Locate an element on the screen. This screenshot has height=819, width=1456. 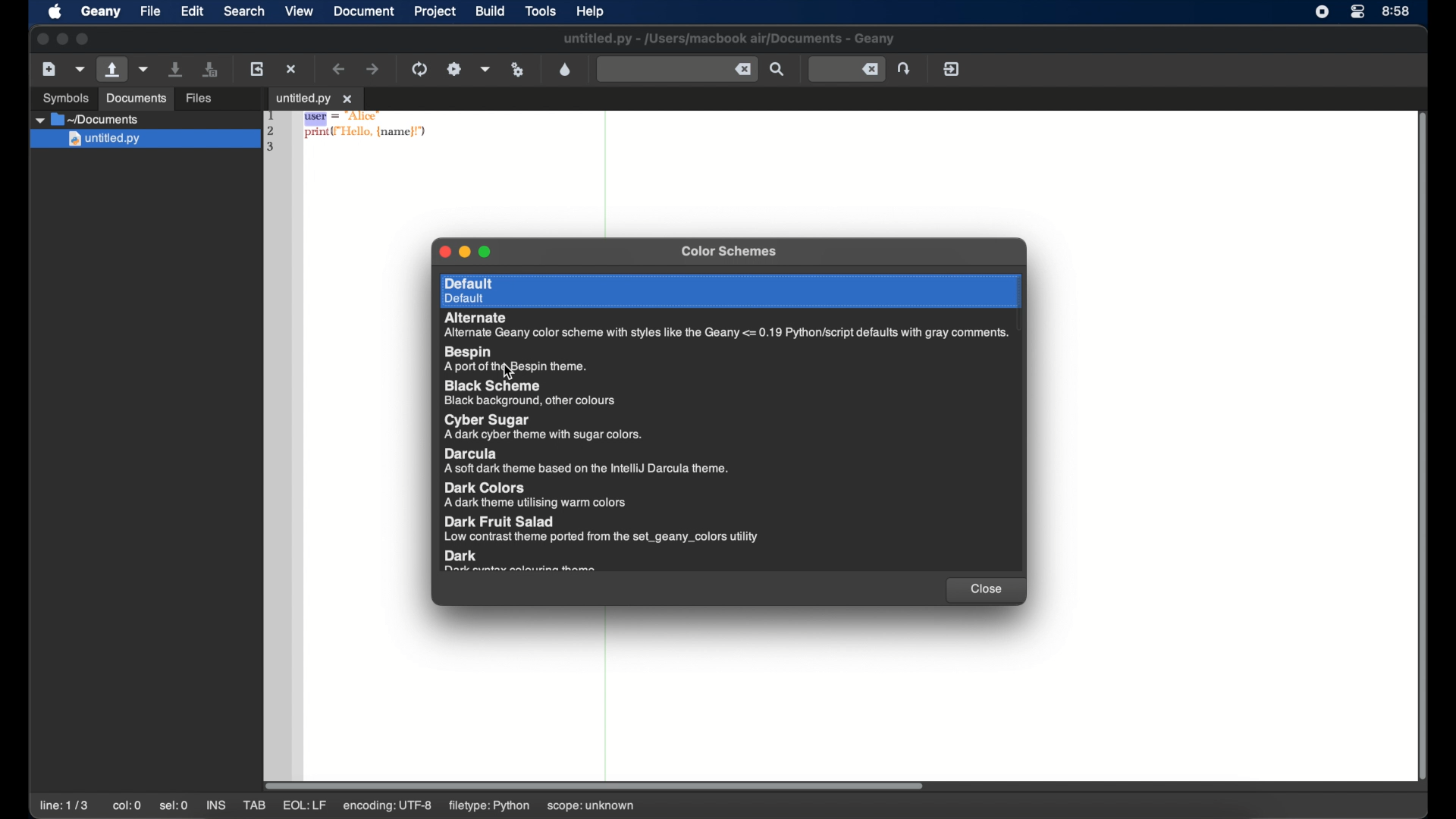
open color chooser dialog is located at coordinates (566, 69).